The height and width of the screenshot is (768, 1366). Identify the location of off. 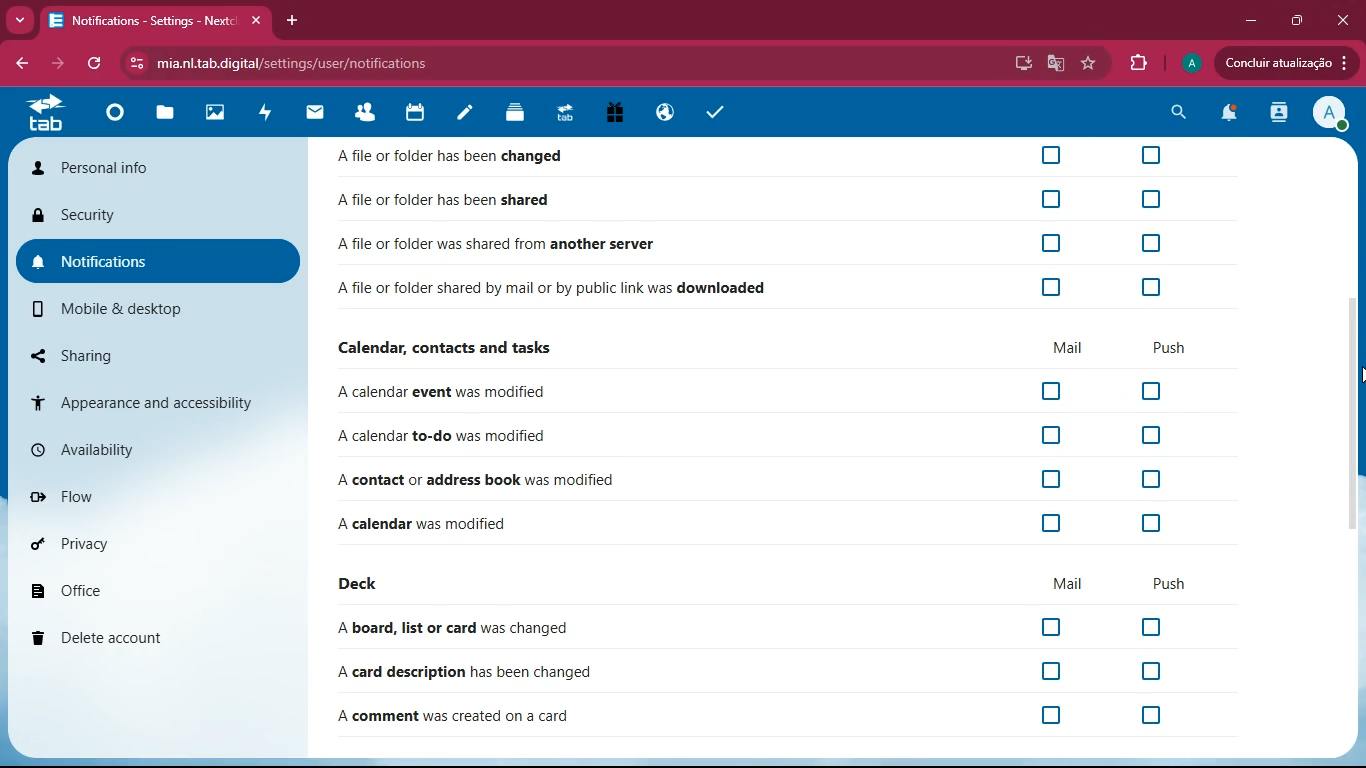
(1051, 153).